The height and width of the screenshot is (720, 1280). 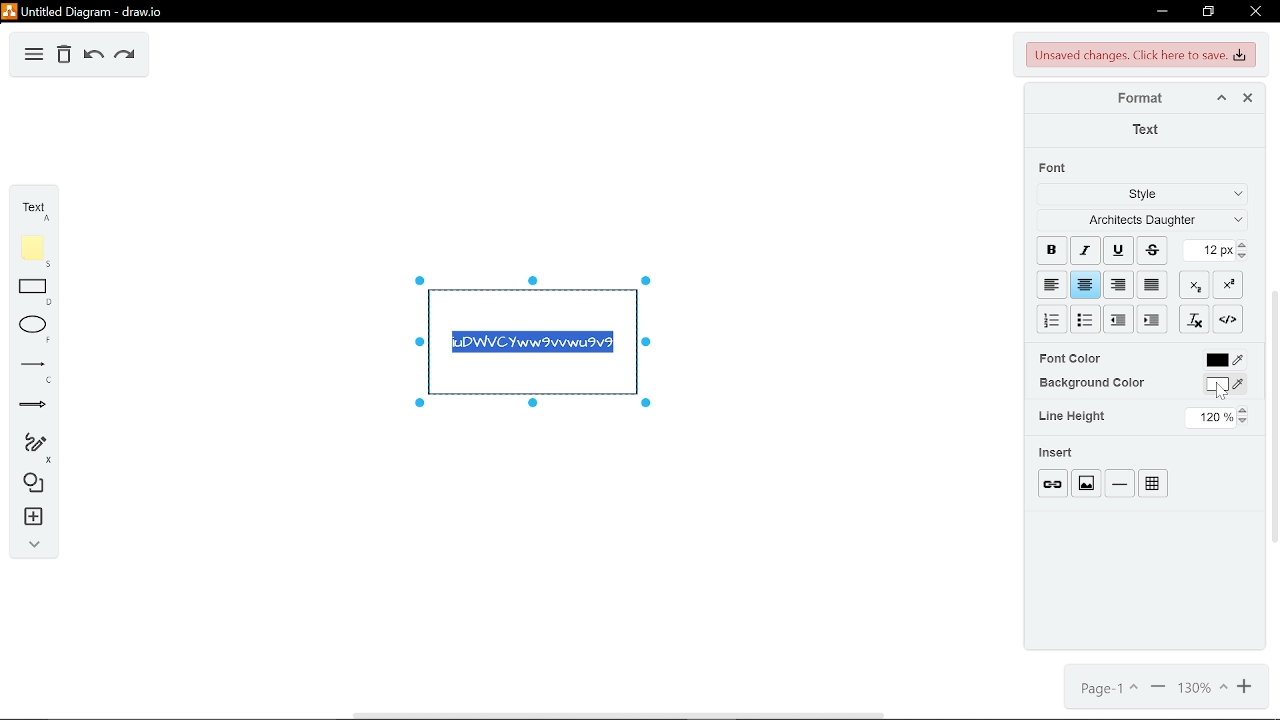 I want to click on align center, so click(x=1086, y=284).